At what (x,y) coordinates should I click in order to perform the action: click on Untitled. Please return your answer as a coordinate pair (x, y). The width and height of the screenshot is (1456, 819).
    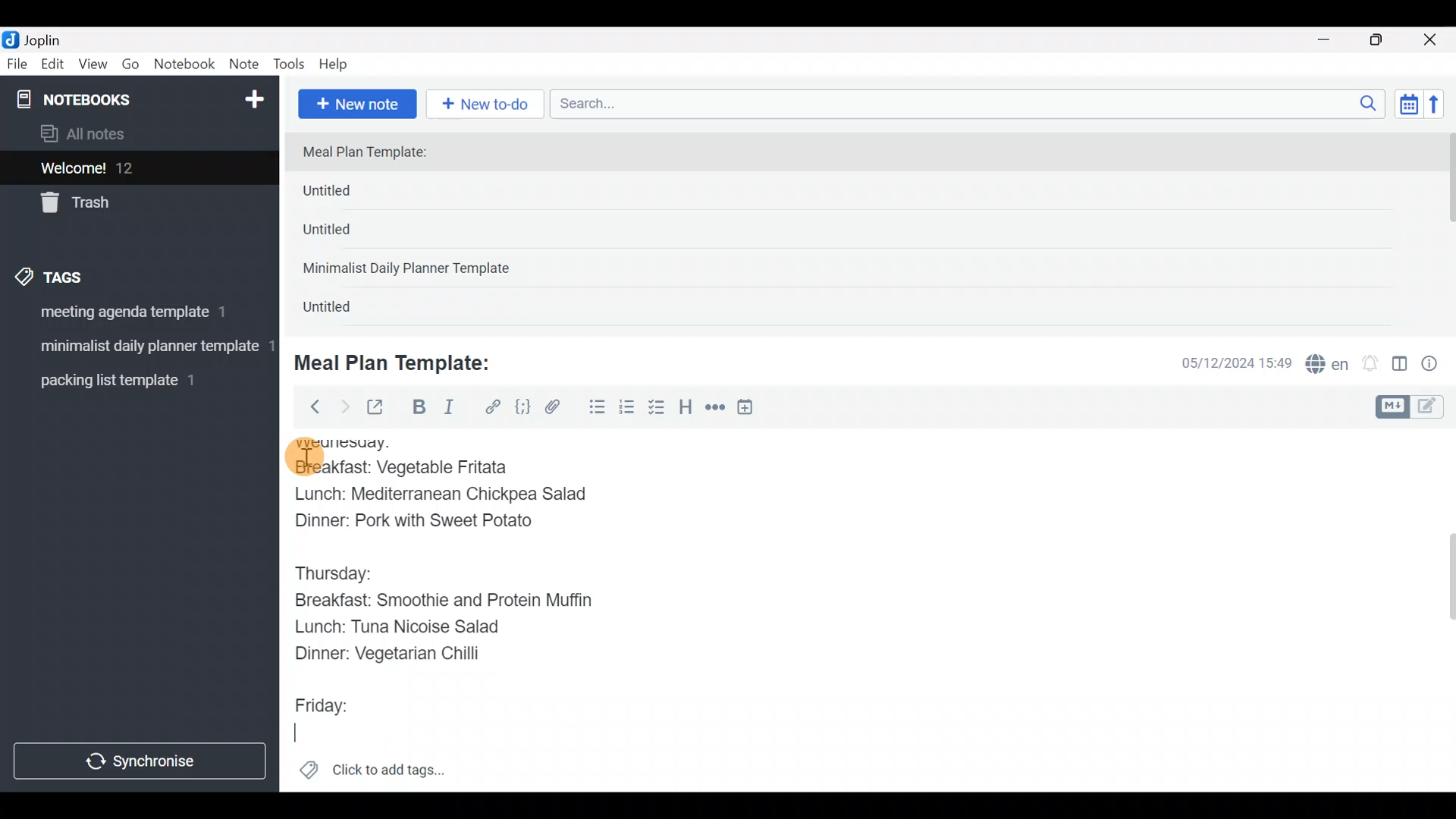
    Looking at the image, I should click on (347, 234).